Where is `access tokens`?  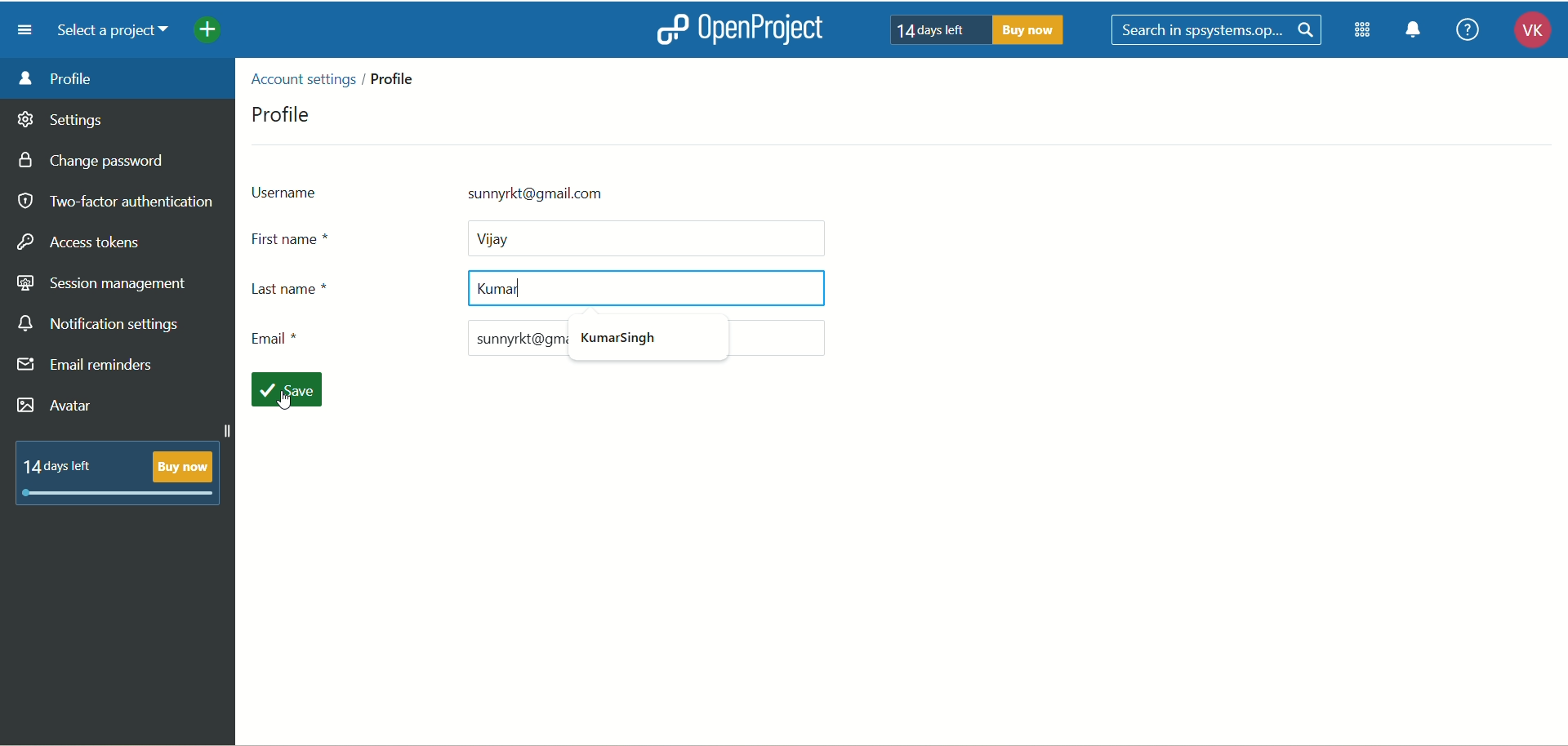 access tokens is located at coordinates (82, 240).